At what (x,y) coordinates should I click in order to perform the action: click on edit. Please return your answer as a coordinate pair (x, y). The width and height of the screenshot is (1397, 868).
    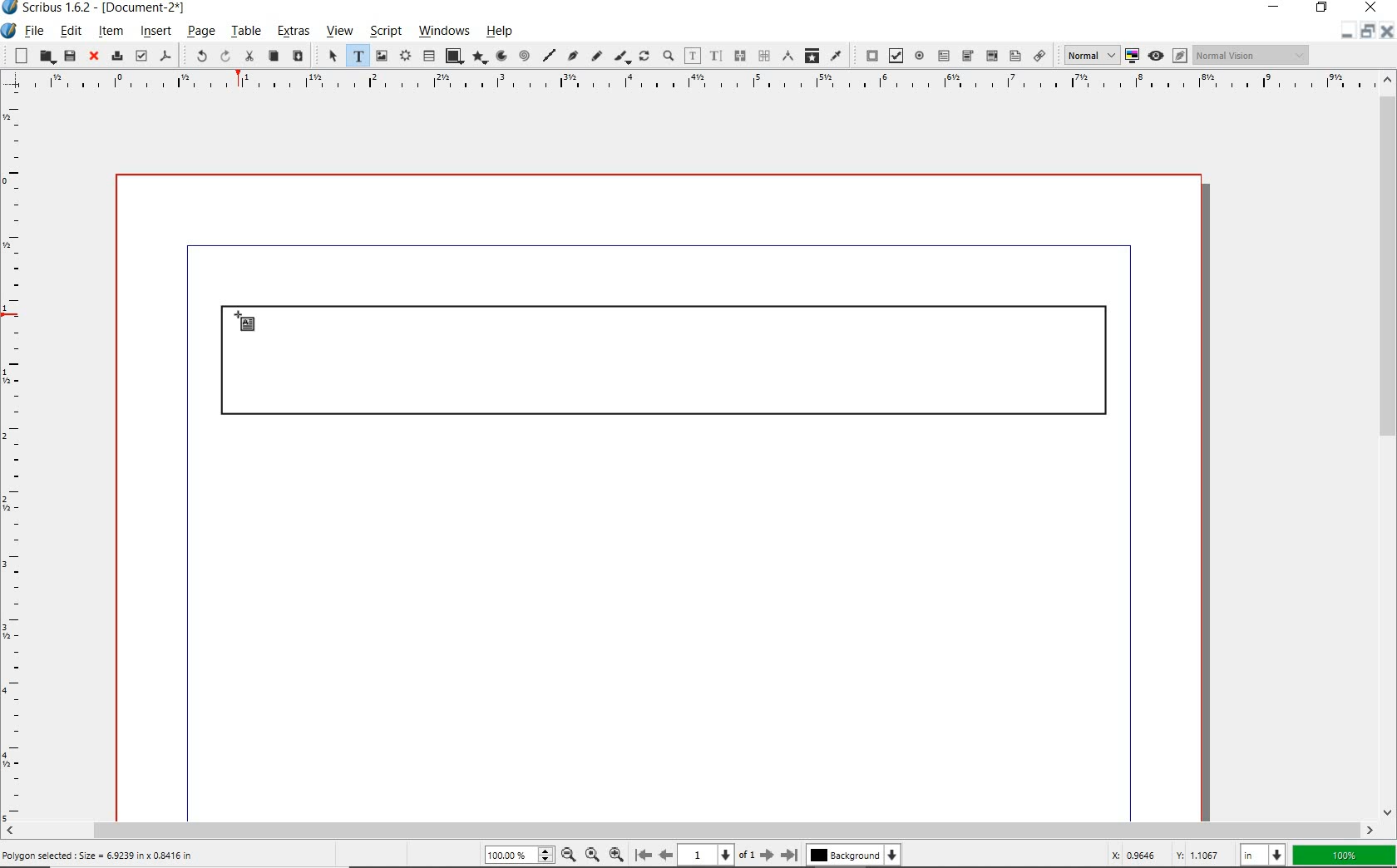
    Looking at the image, I should click on (72, 31).